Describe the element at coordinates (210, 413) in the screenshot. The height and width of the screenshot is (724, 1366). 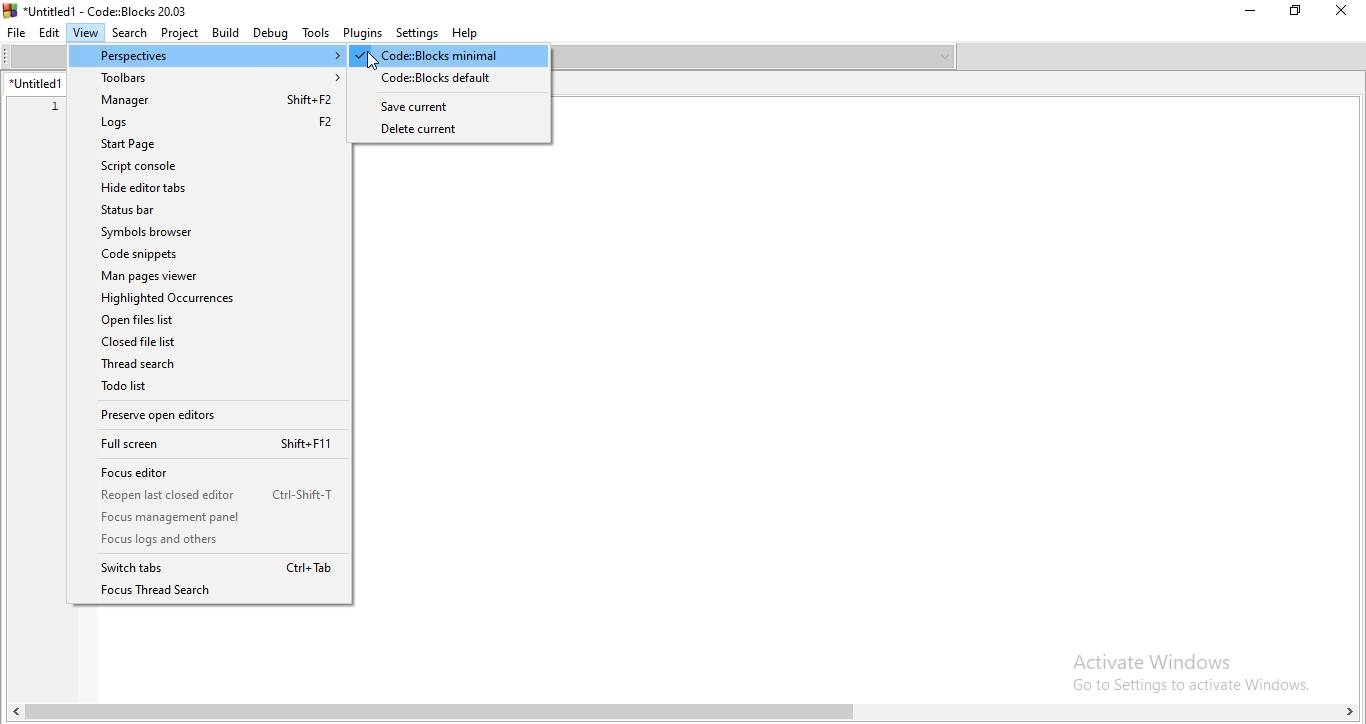
I see `Preserve open editors` at that location.